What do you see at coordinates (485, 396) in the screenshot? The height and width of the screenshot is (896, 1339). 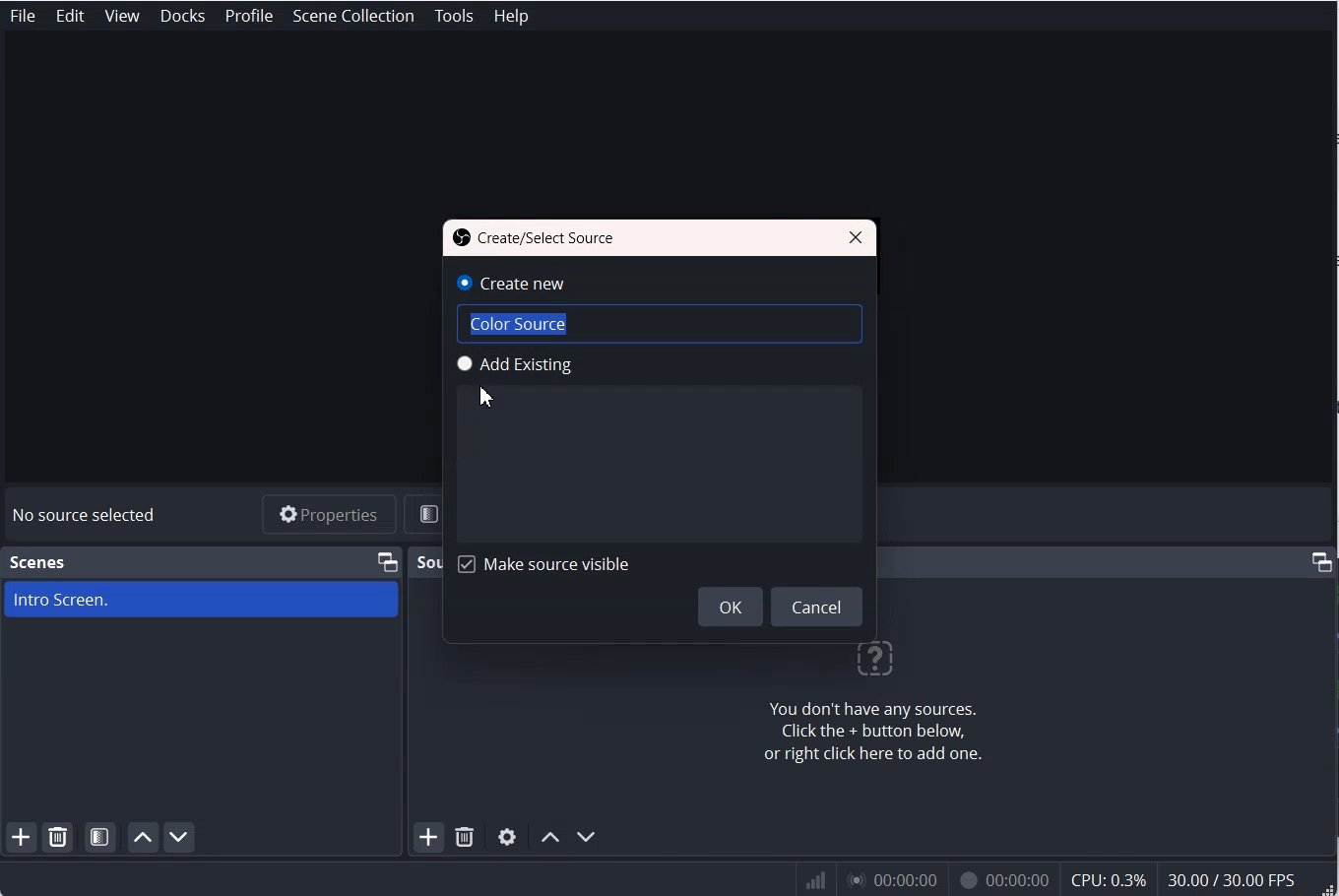 I see `Cursor` at bounding box center [485, 396].